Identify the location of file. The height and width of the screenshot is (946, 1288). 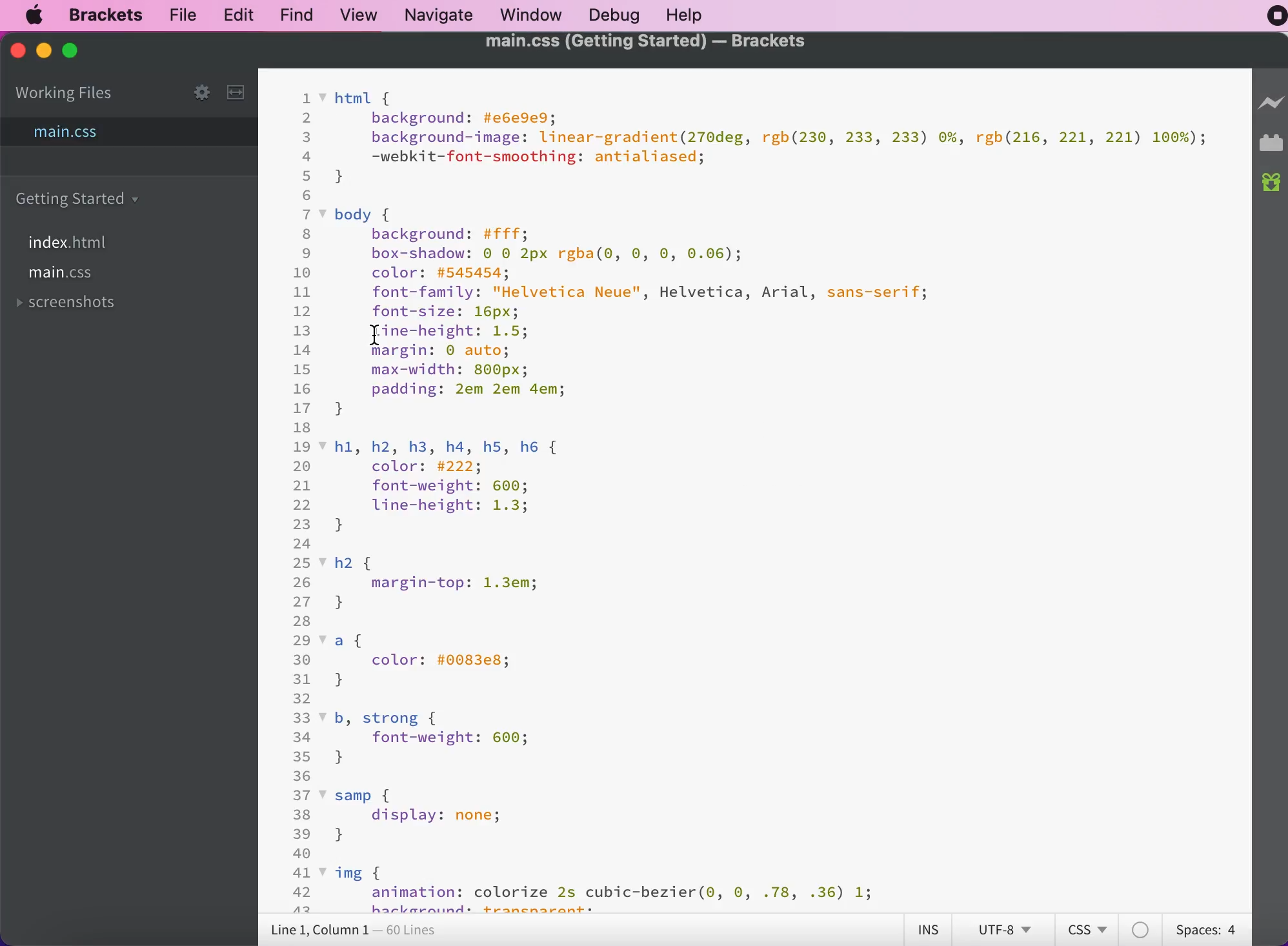
(186, 13).